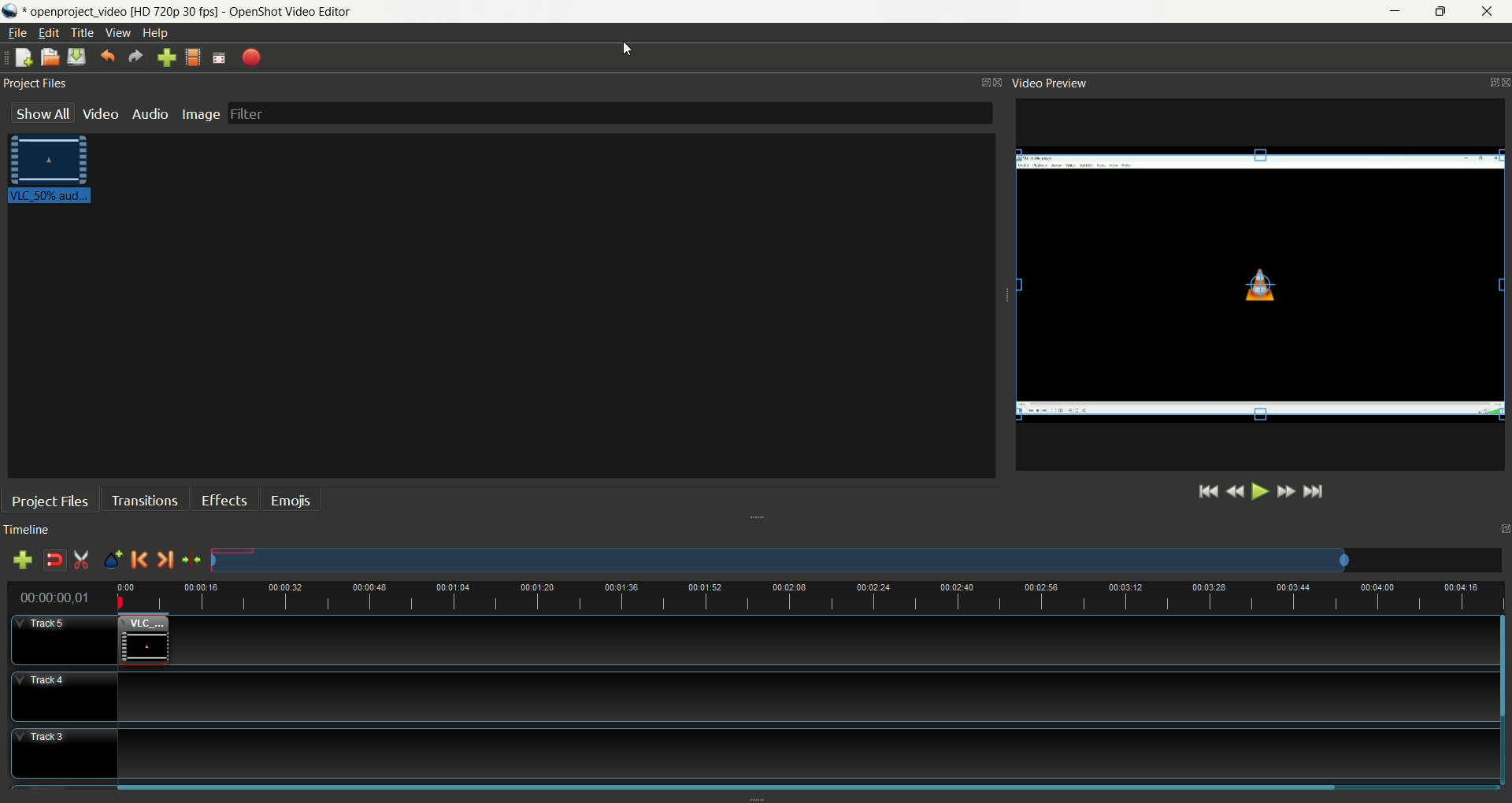  Describe the element at coordinates (83, 560) in the screenshot. I see `enable razor` at that location.